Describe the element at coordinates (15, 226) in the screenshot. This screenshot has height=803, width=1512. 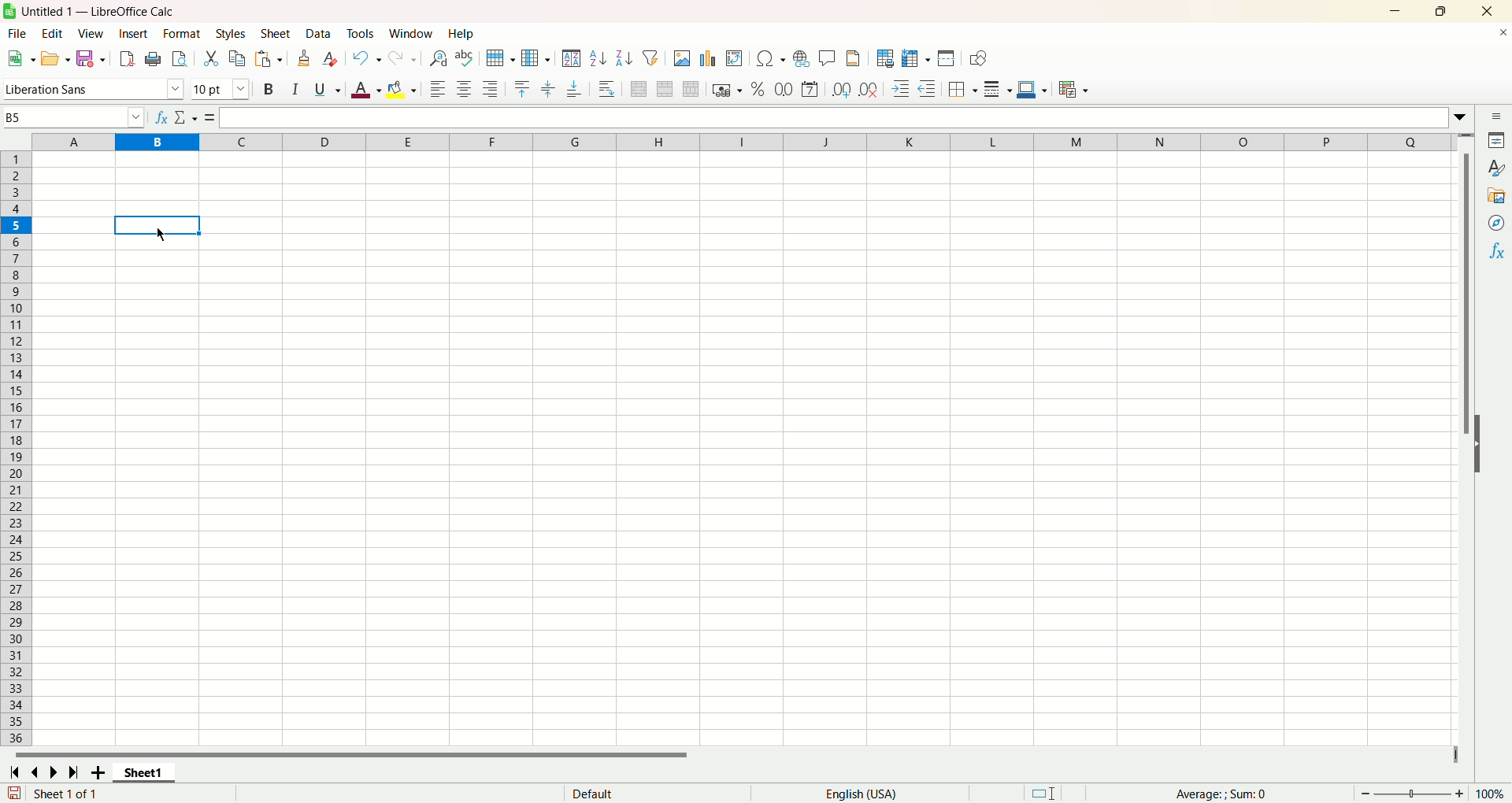
I see `row selected` at that location.